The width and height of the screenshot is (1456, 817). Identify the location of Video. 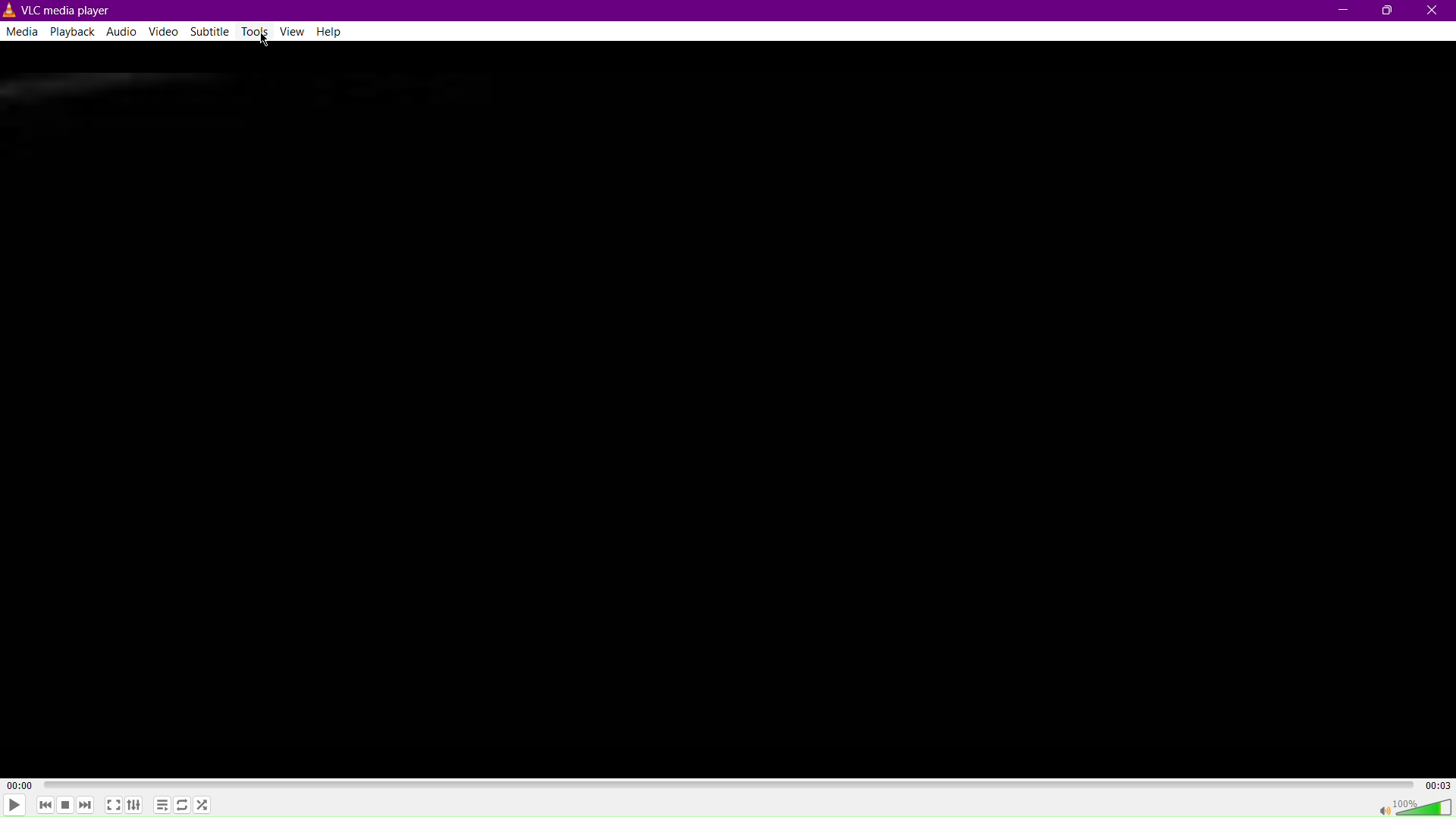
(165, 34).